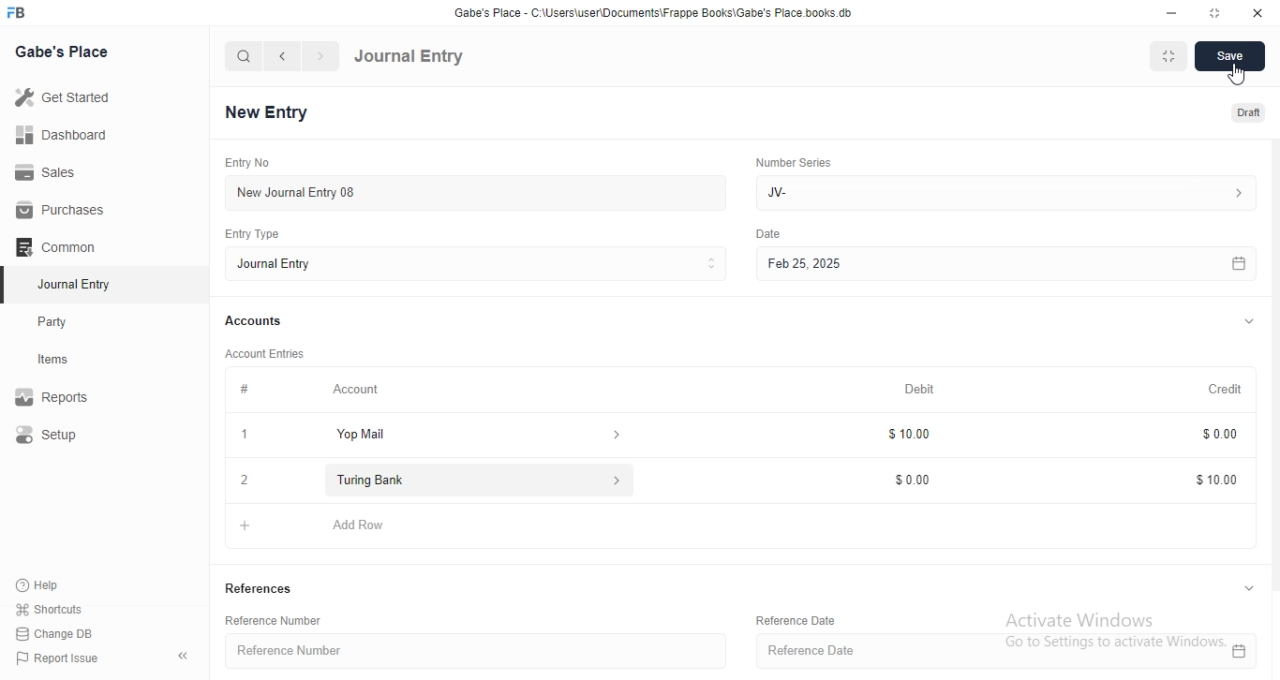  What do you see at coordinates (768, 234) in the screenshot?
I see `` at bounding box center [768, 234].